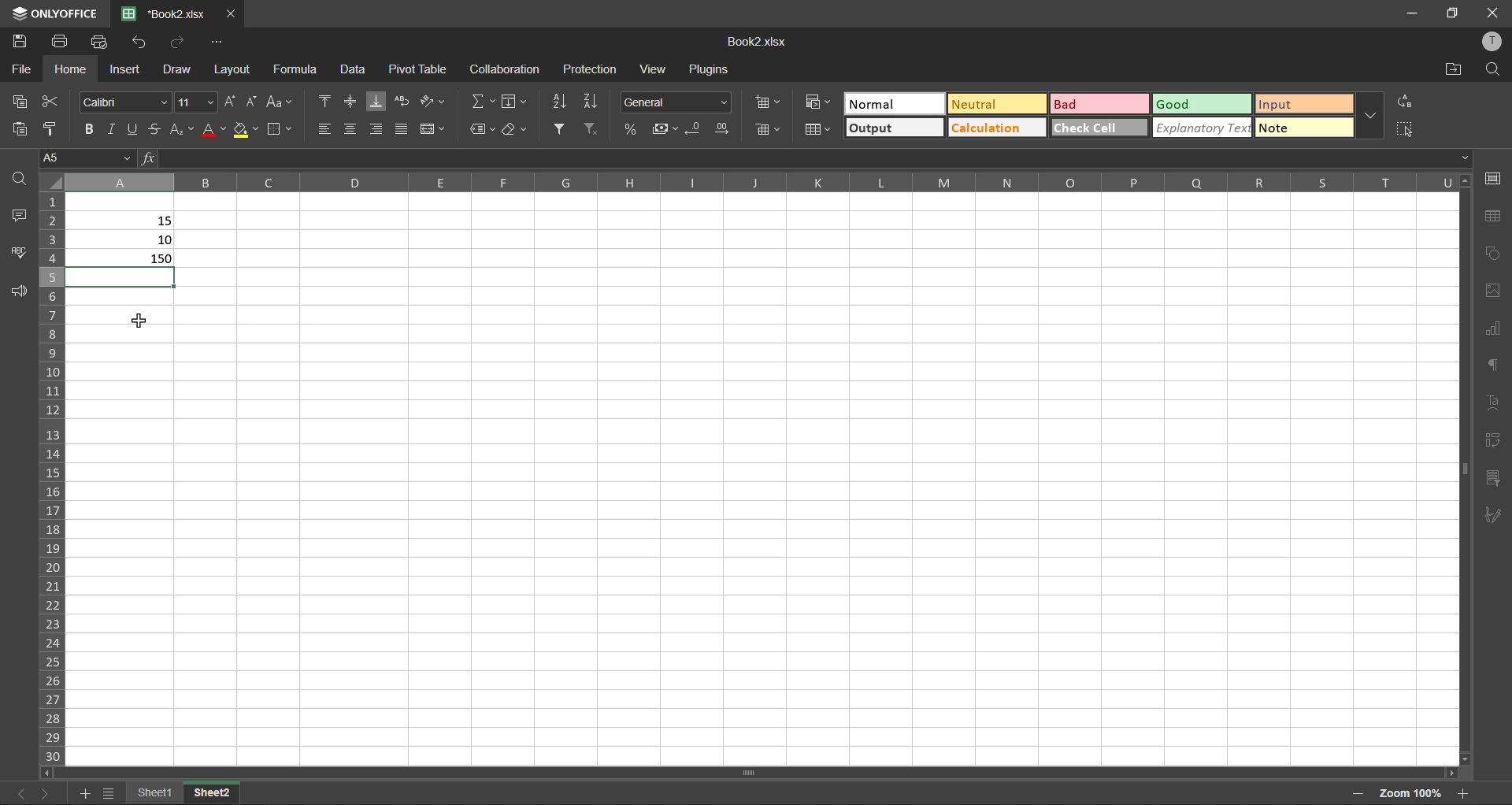 The image size is (1512, 805). I want to click on clear filter, so click(592, 131).